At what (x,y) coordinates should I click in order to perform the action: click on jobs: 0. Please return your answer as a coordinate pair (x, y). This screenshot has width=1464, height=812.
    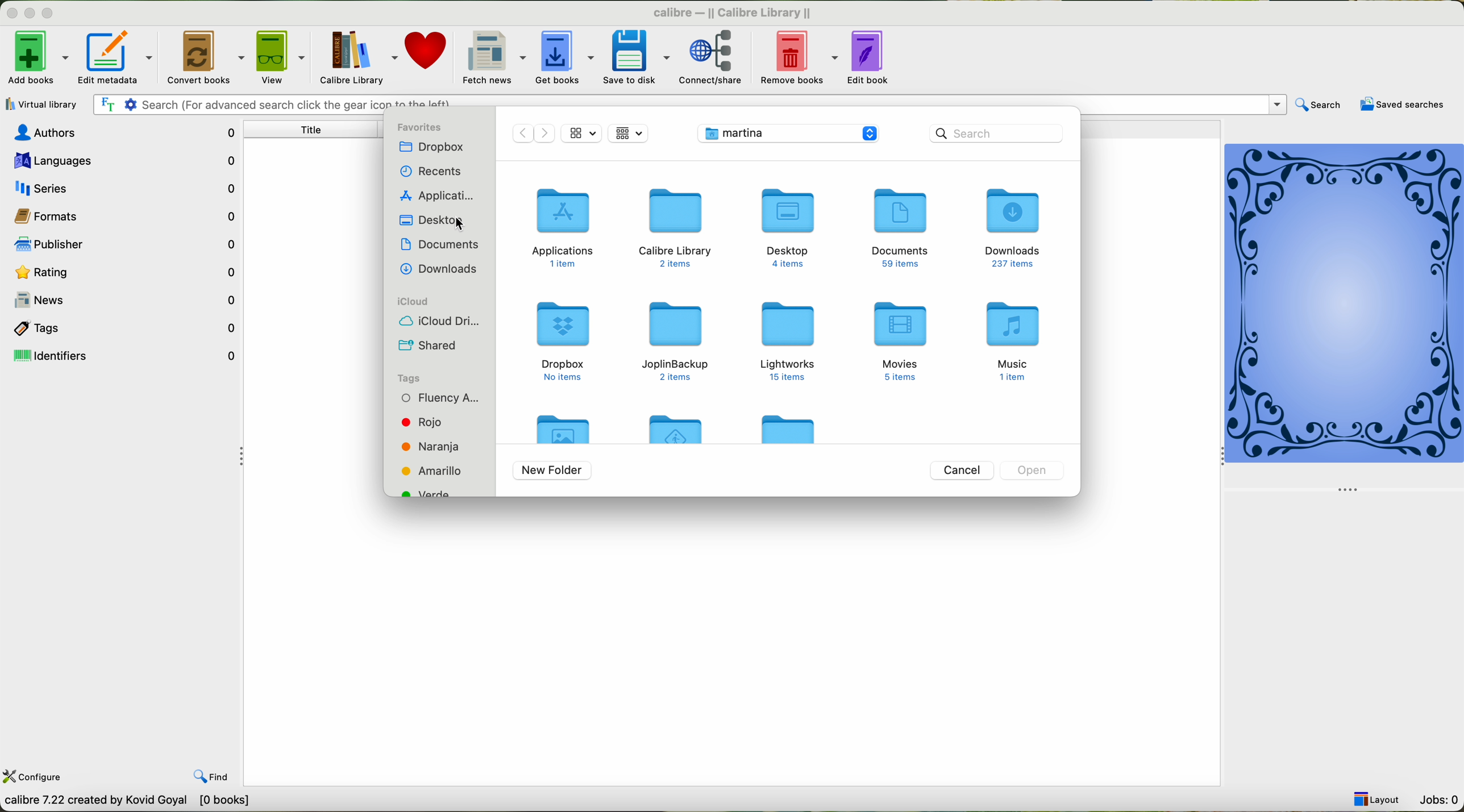
    Looking at the image, I should click on (1438, 799).